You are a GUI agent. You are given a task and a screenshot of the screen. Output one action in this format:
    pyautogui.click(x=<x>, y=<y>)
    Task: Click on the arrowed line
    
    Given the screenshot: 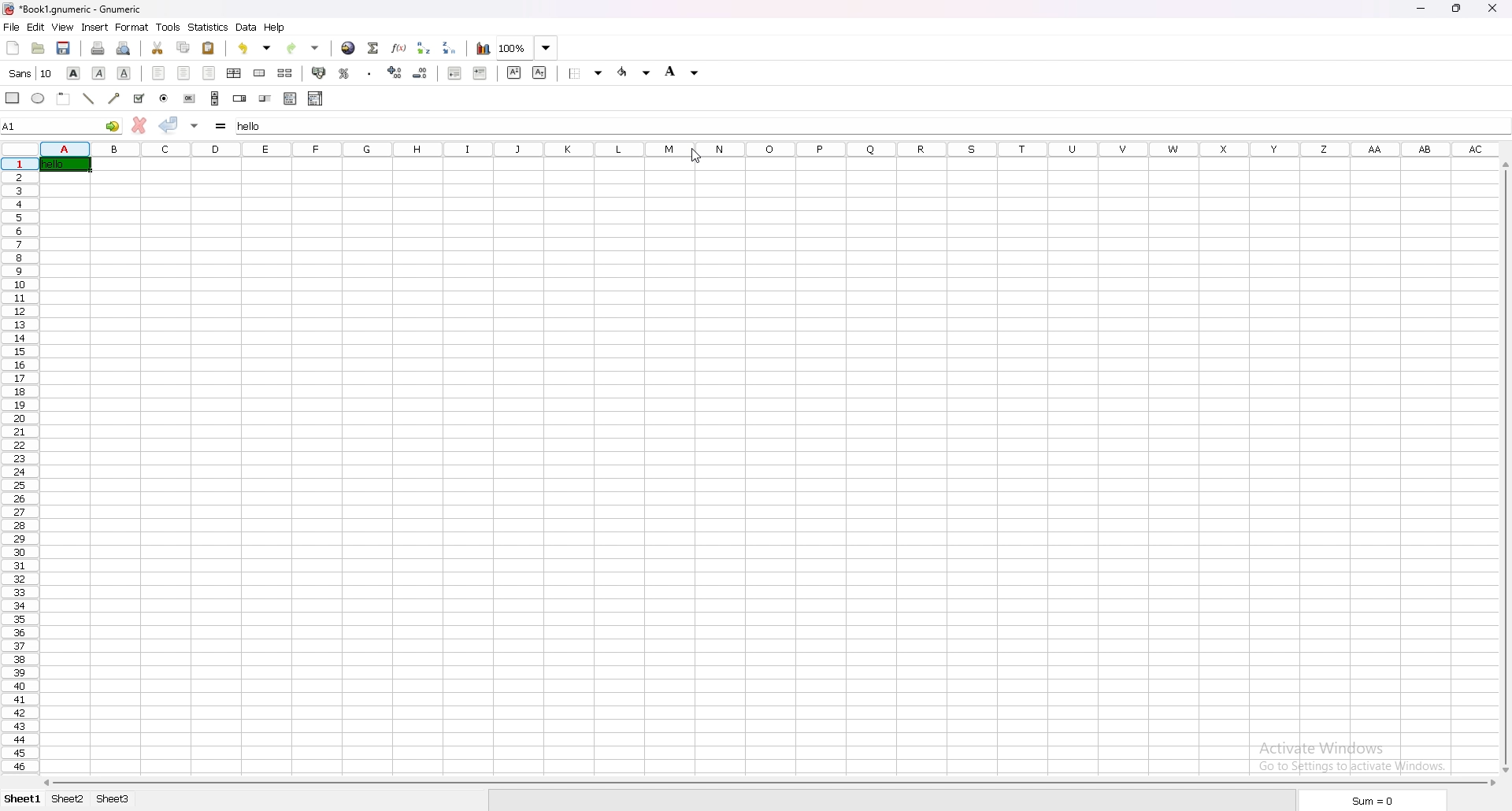 What is the action you would take?
    pyautogui.click(x=115, y=98)
    